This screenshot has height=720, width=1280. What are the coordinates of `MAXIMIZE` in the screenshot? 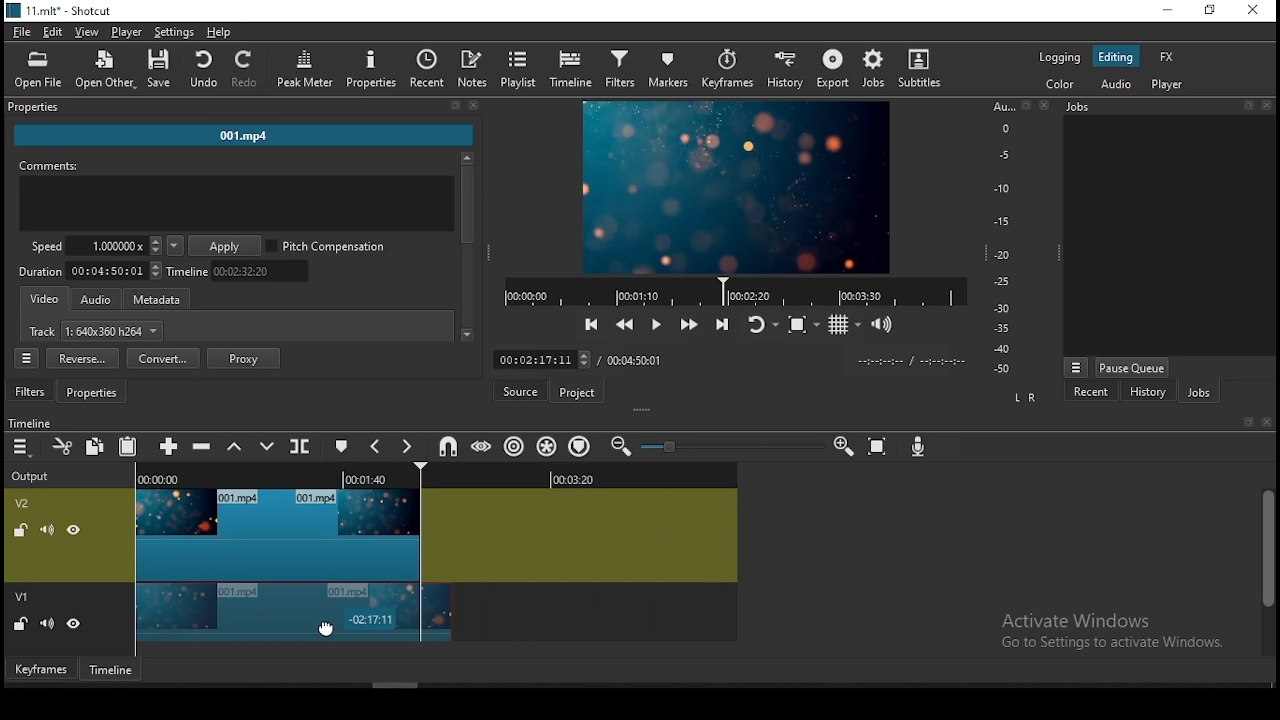 It's located at (1245, 421).